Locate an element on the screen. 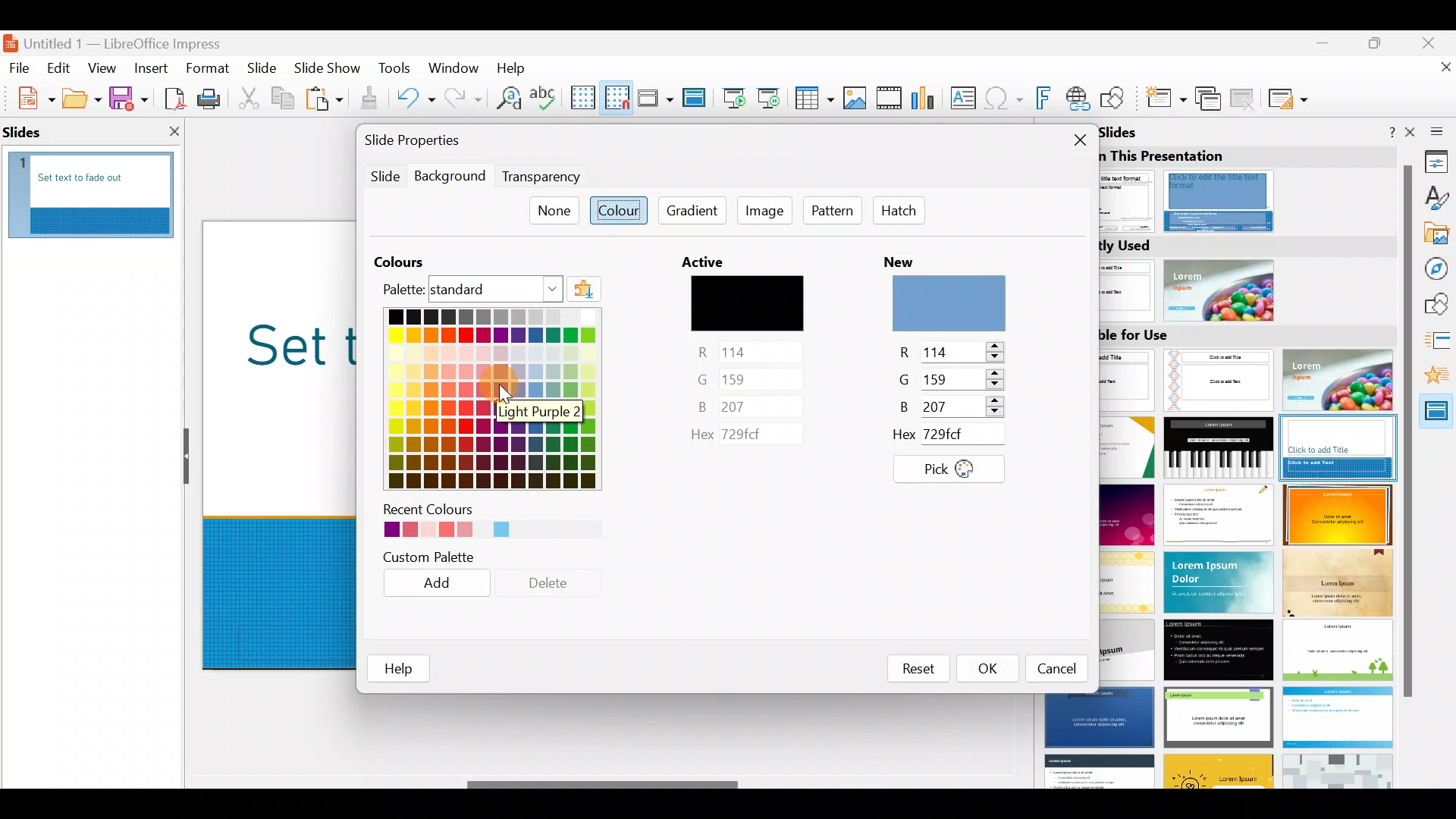 The image size is (1456, 819). New is located at coordinates (28, 96).